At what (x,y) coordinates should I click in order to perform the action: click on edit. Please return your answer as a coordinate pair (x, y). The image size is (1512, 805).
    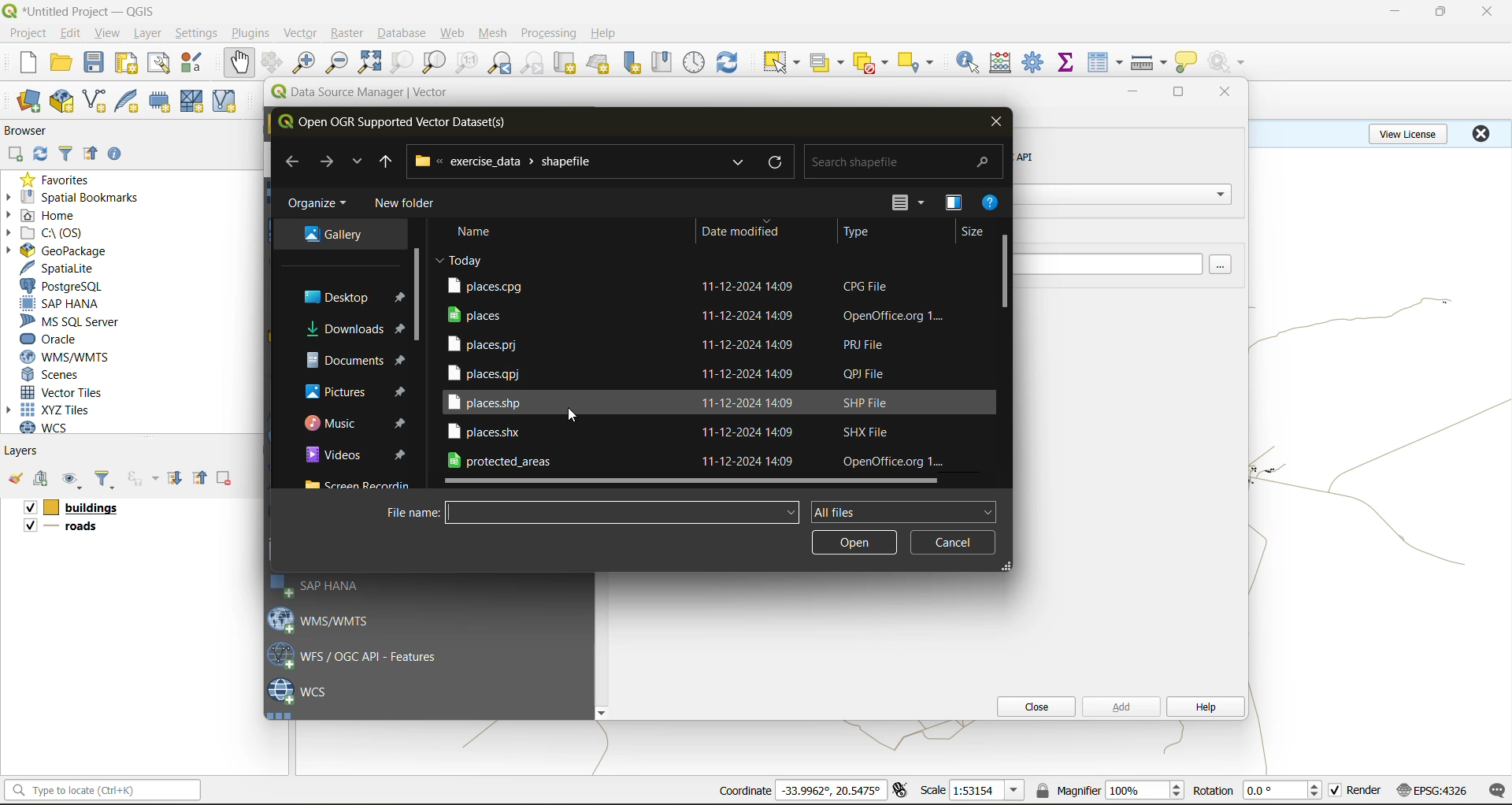
    Looking at the image, I should click on (71, 35).